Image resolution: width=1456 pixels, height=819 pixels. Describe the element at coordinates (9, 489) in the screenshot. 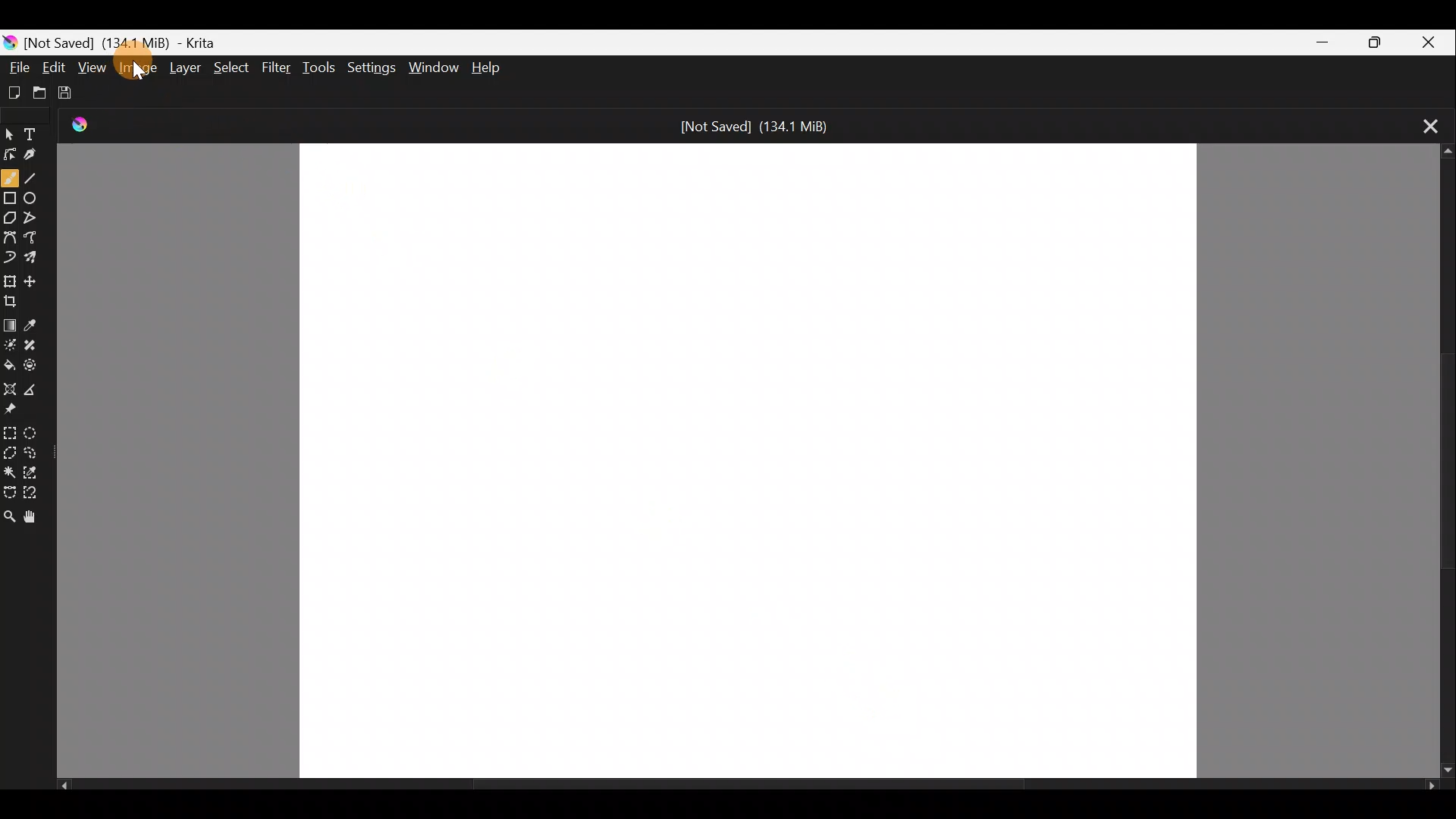

I see `Bezier curve selection tool` at that location.